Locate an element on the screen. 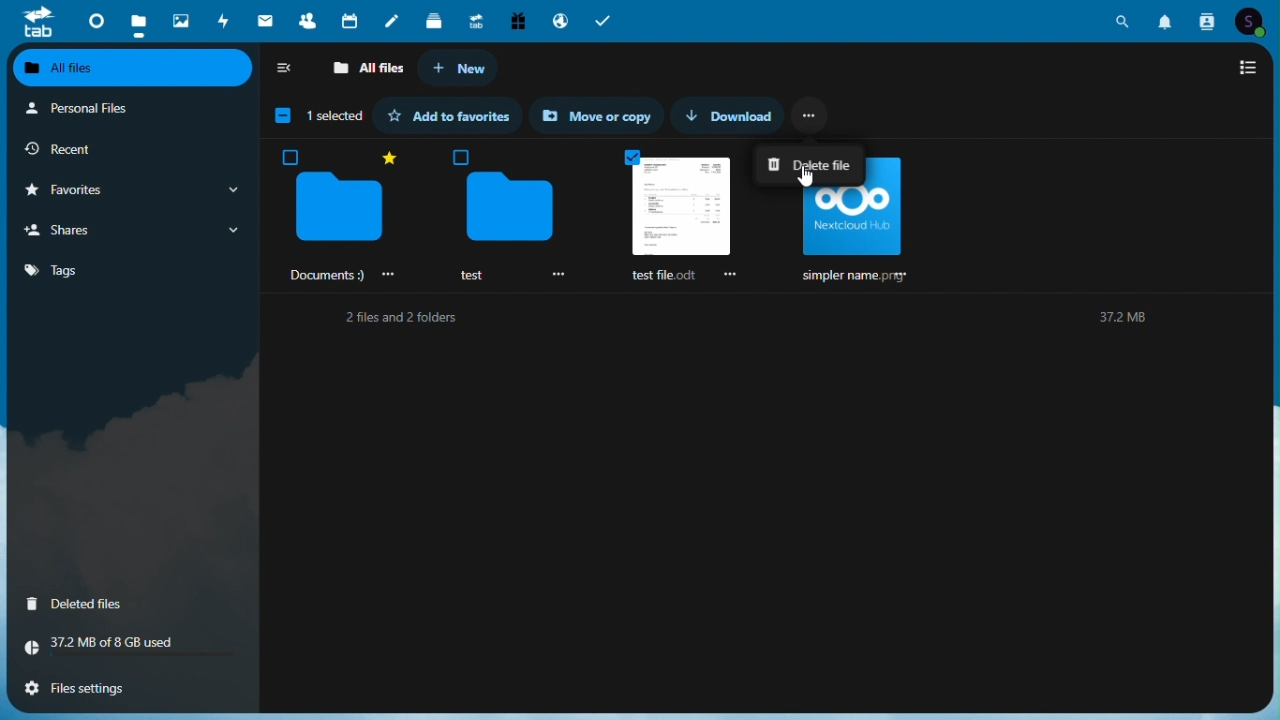  More options is located at coordinates (809, 117).